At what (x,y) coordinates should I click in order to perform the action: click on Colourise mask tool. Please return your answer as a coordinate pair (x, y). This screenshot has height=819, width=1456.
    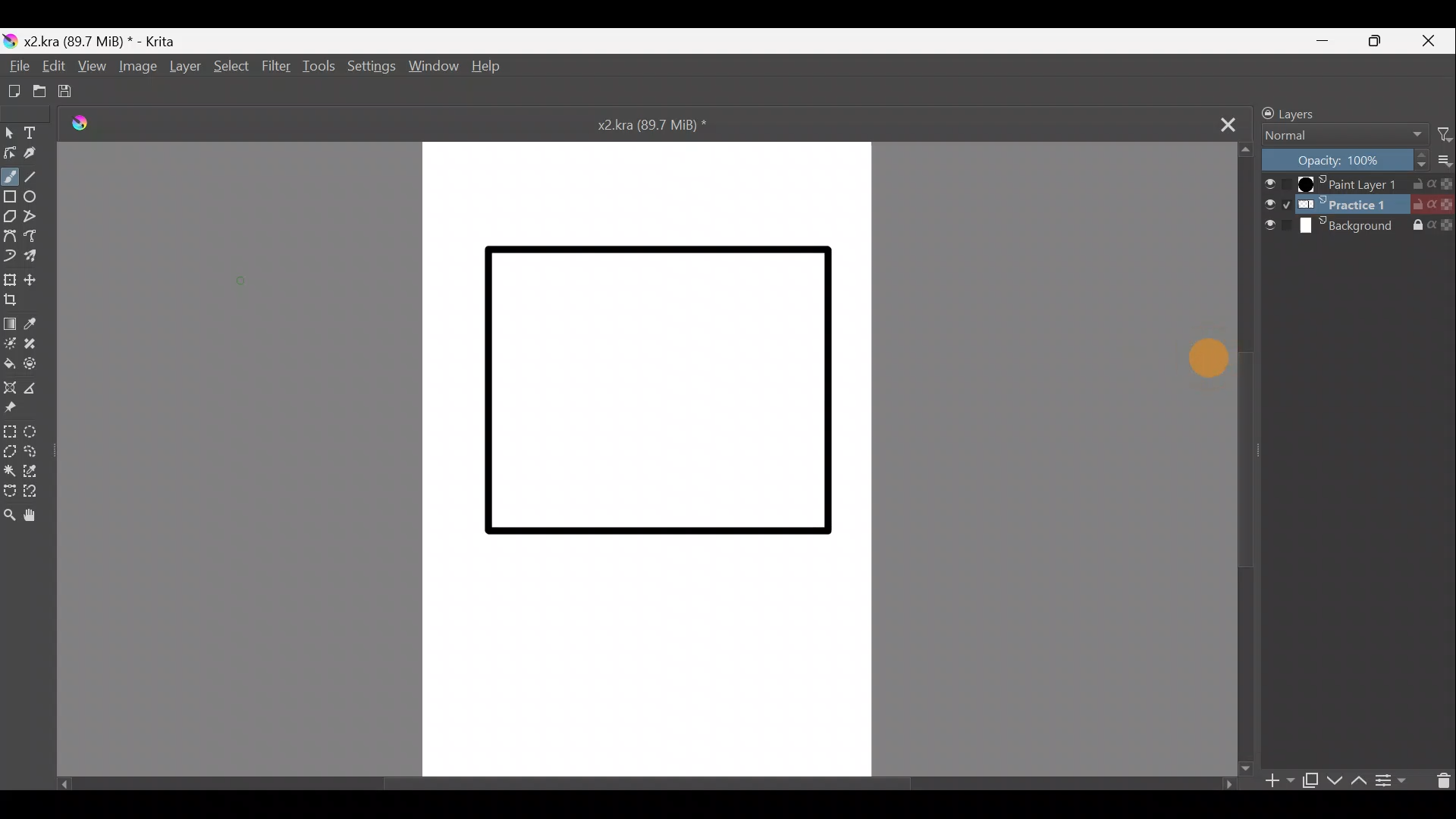
    Looking at the image, I should click on (11, 343).